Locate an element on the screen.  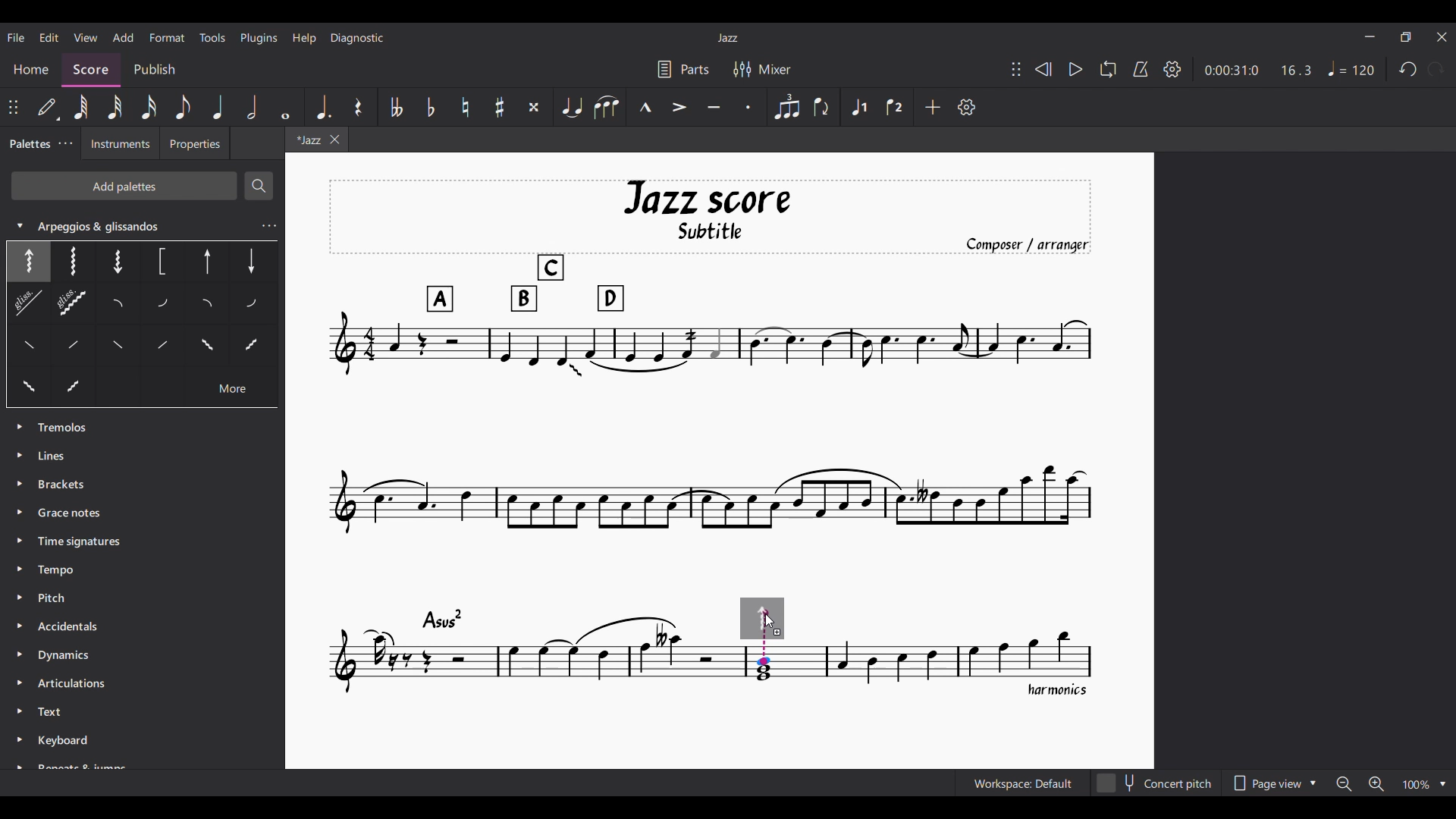
Close tab is located at coordinates (334, 140).